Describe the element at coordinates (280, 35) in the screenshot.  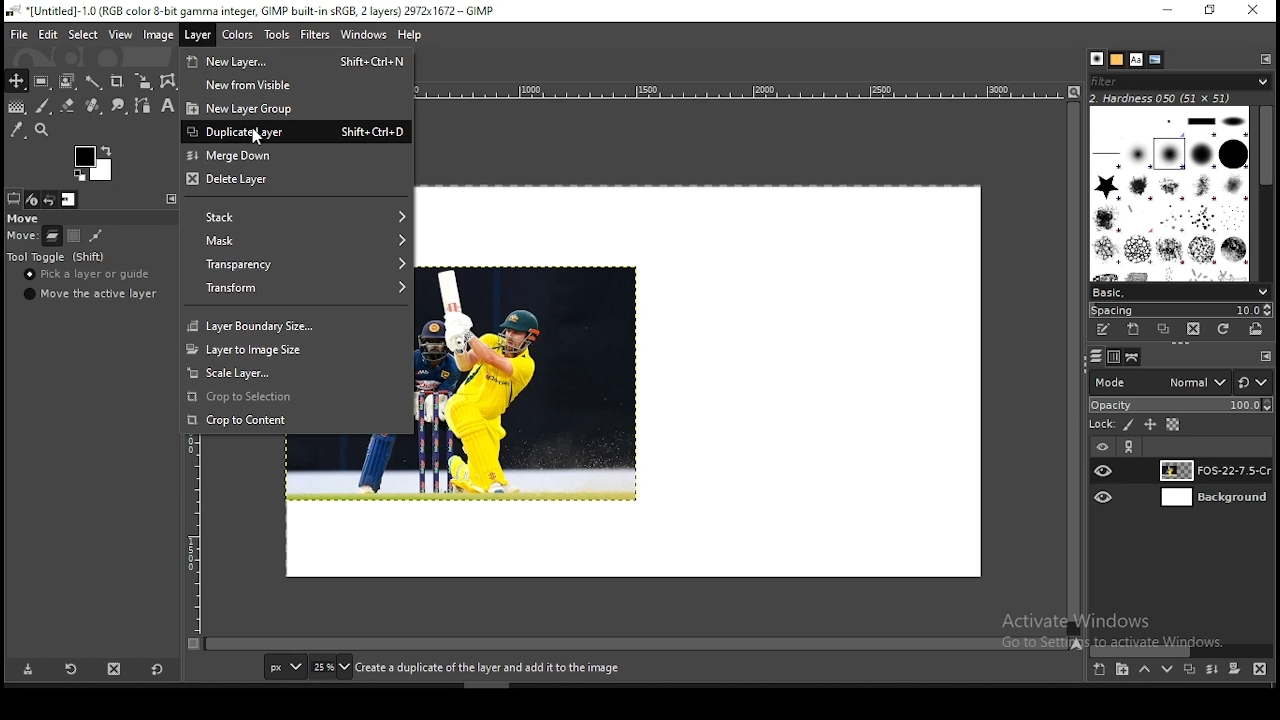
I see `tools` at that location.